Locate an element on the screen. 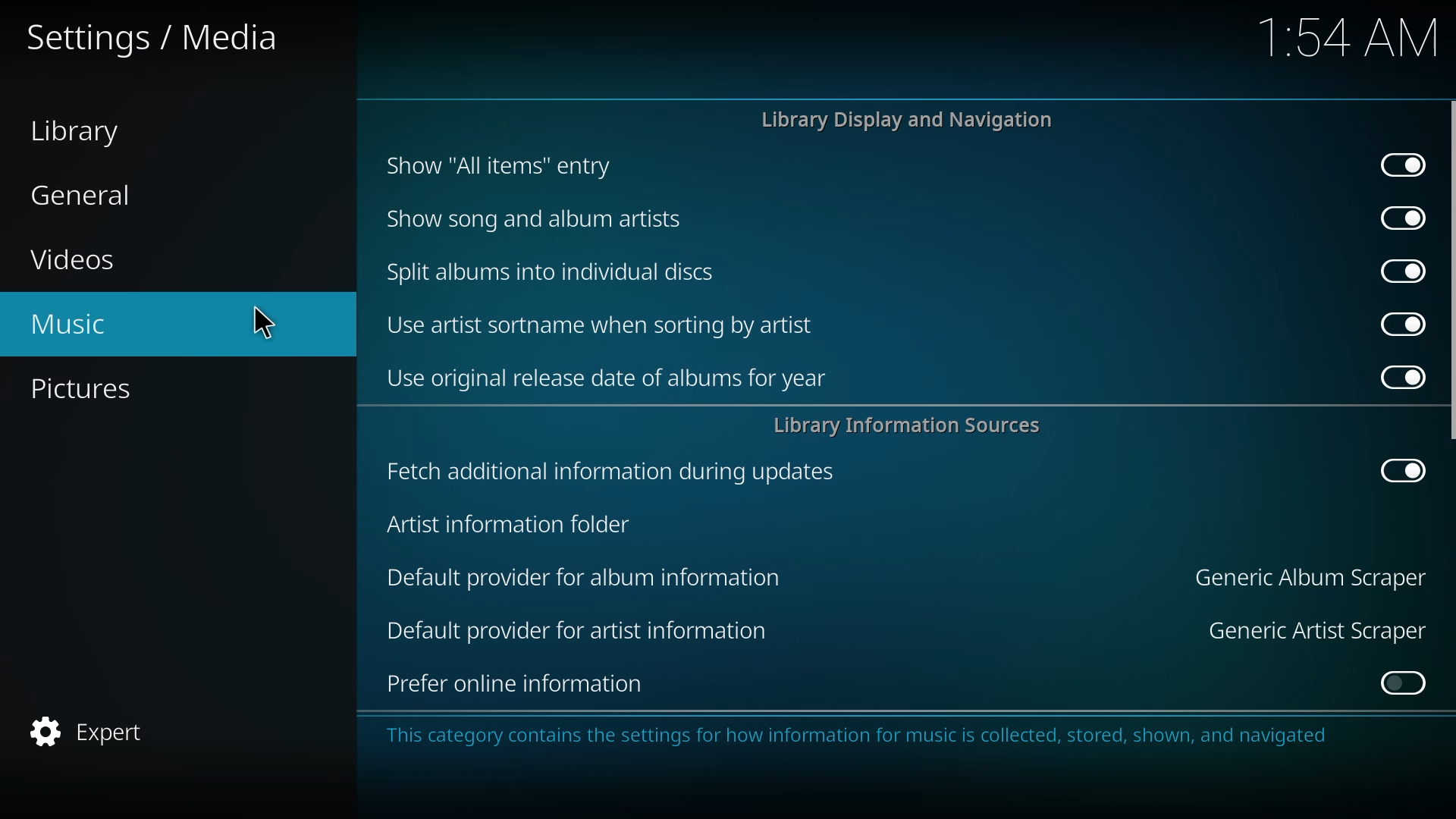  time is located at coordinates (1348, 36).